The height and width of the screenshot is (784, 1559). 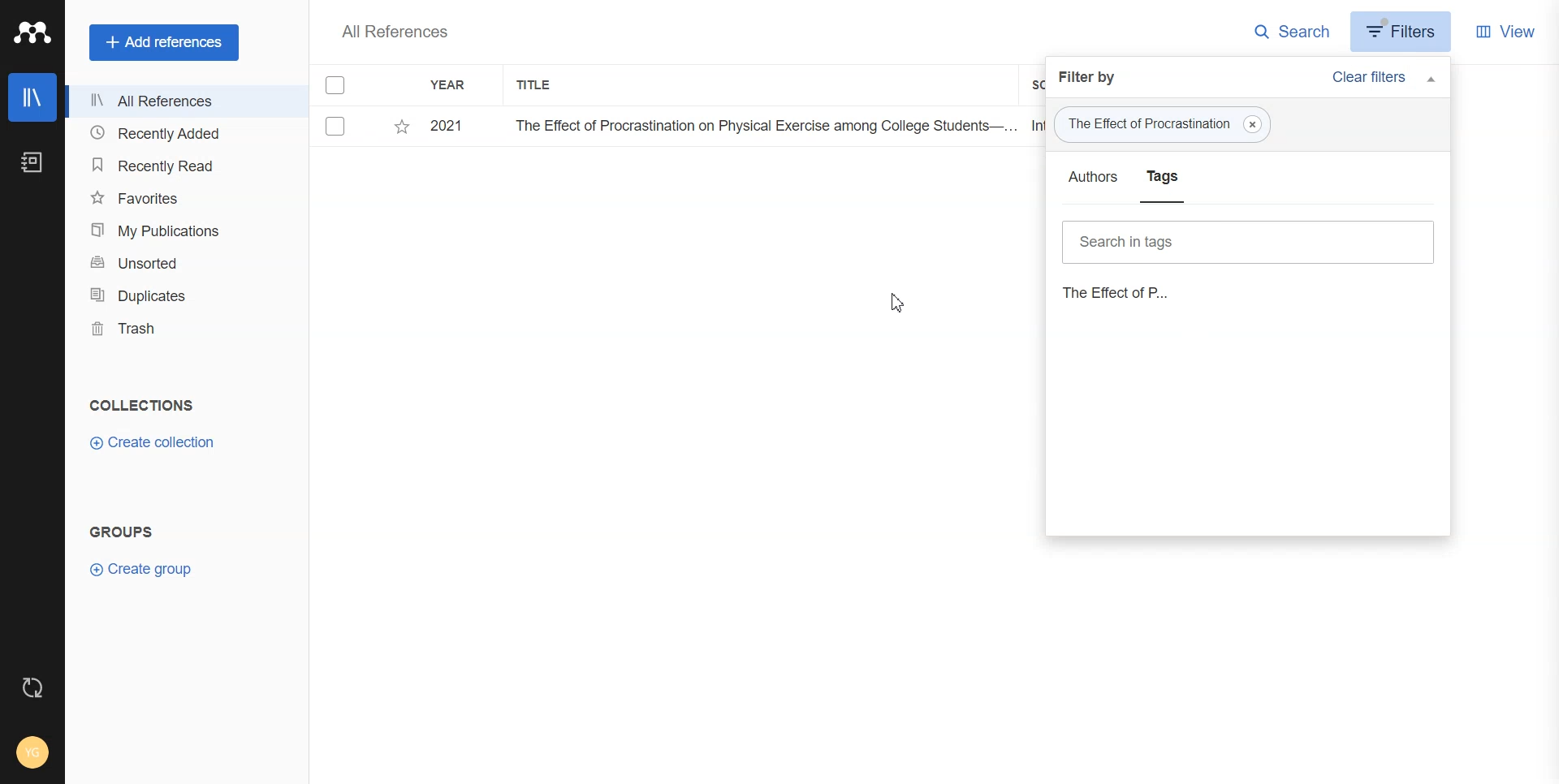 I want to click on Starred, so click(x=404, y=126).